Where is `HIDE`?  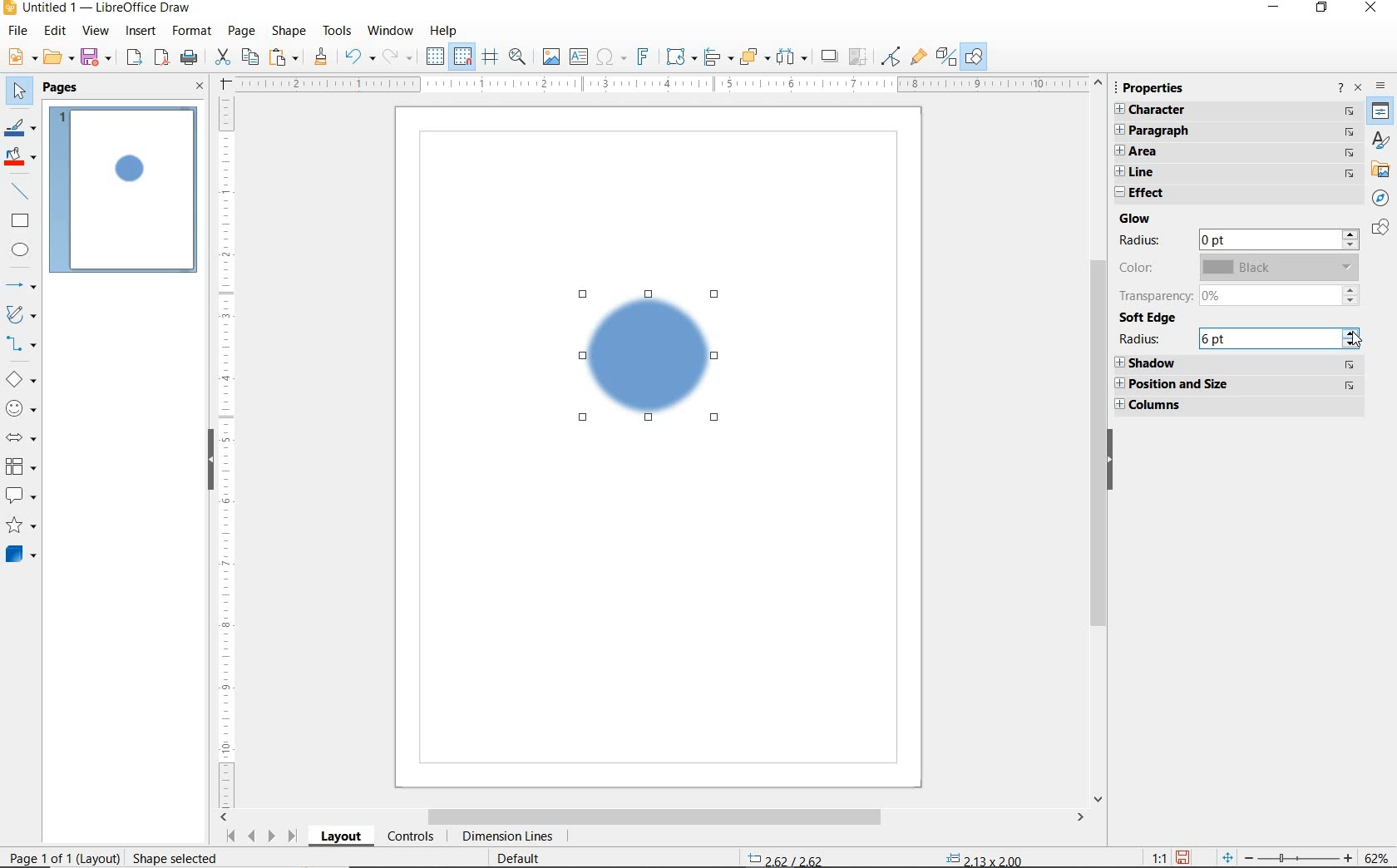
HIDE is located at coordinates (1119, 460).